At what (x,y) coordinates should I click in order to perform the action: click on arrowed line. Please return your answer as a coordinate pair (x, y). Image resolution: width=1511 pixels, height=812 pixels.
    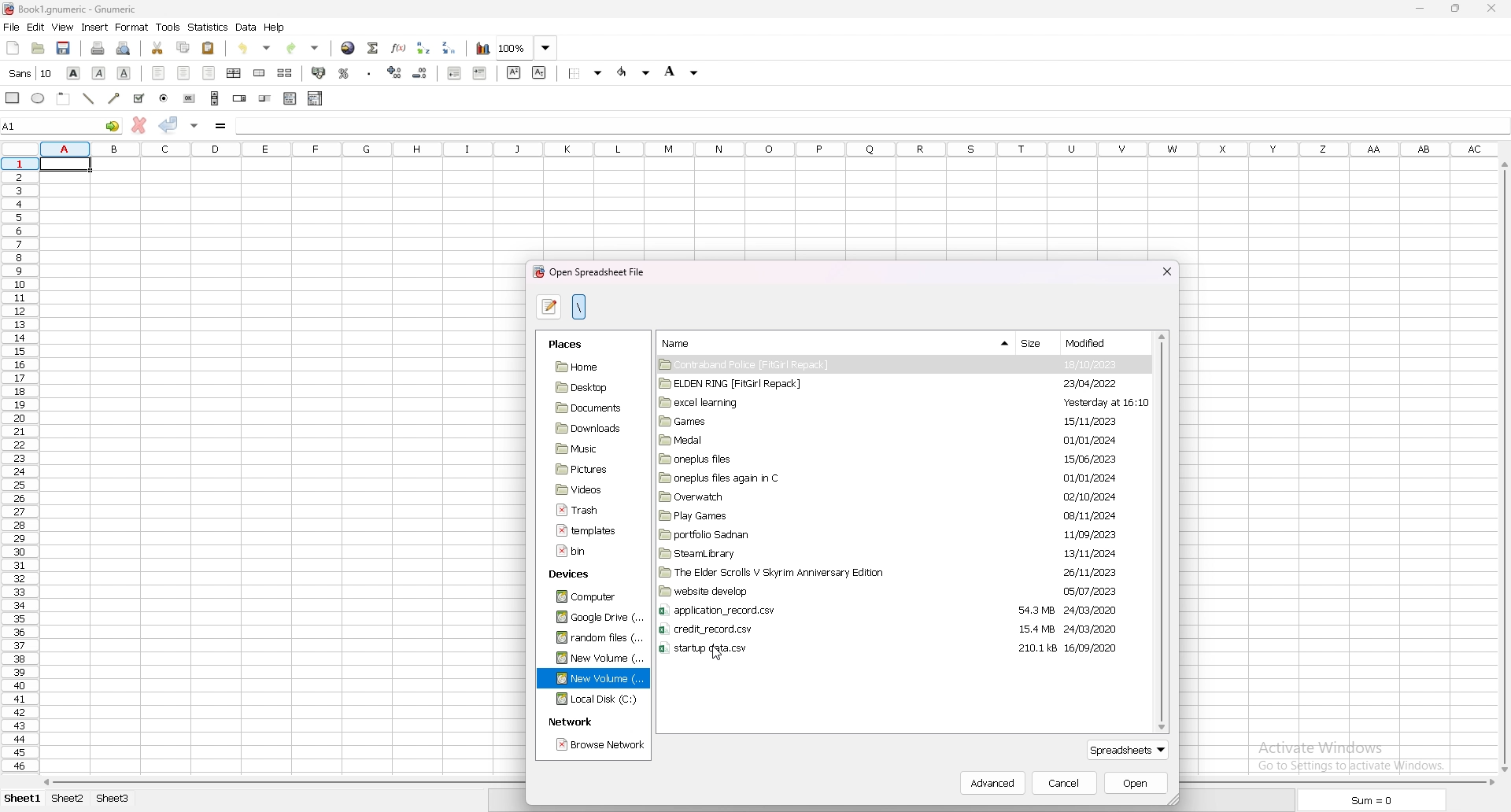
    Looking at the image, I should click on (113, 98).